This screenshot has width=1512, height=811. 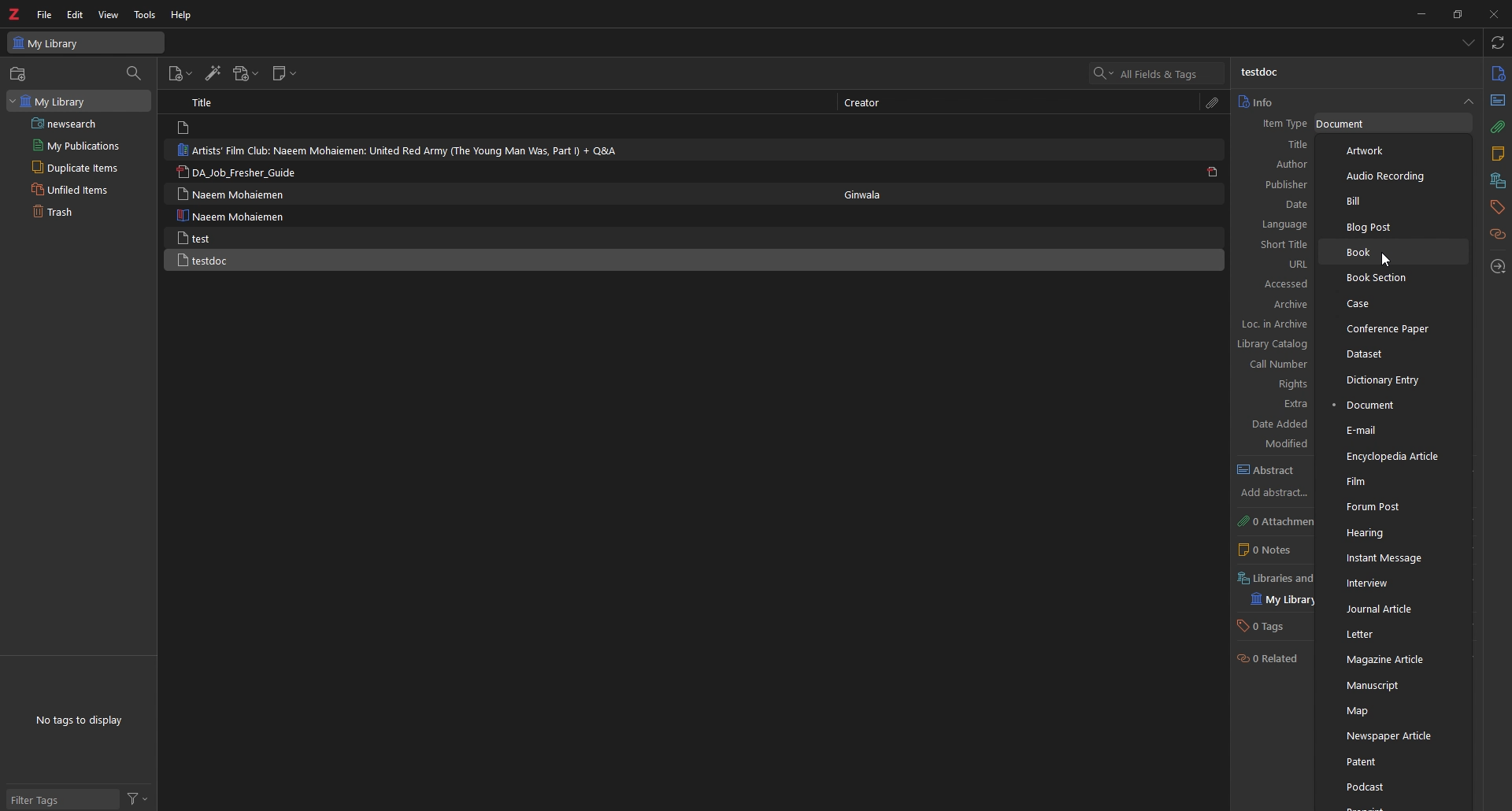 I want to click on document, so click(x=1391, y=405).